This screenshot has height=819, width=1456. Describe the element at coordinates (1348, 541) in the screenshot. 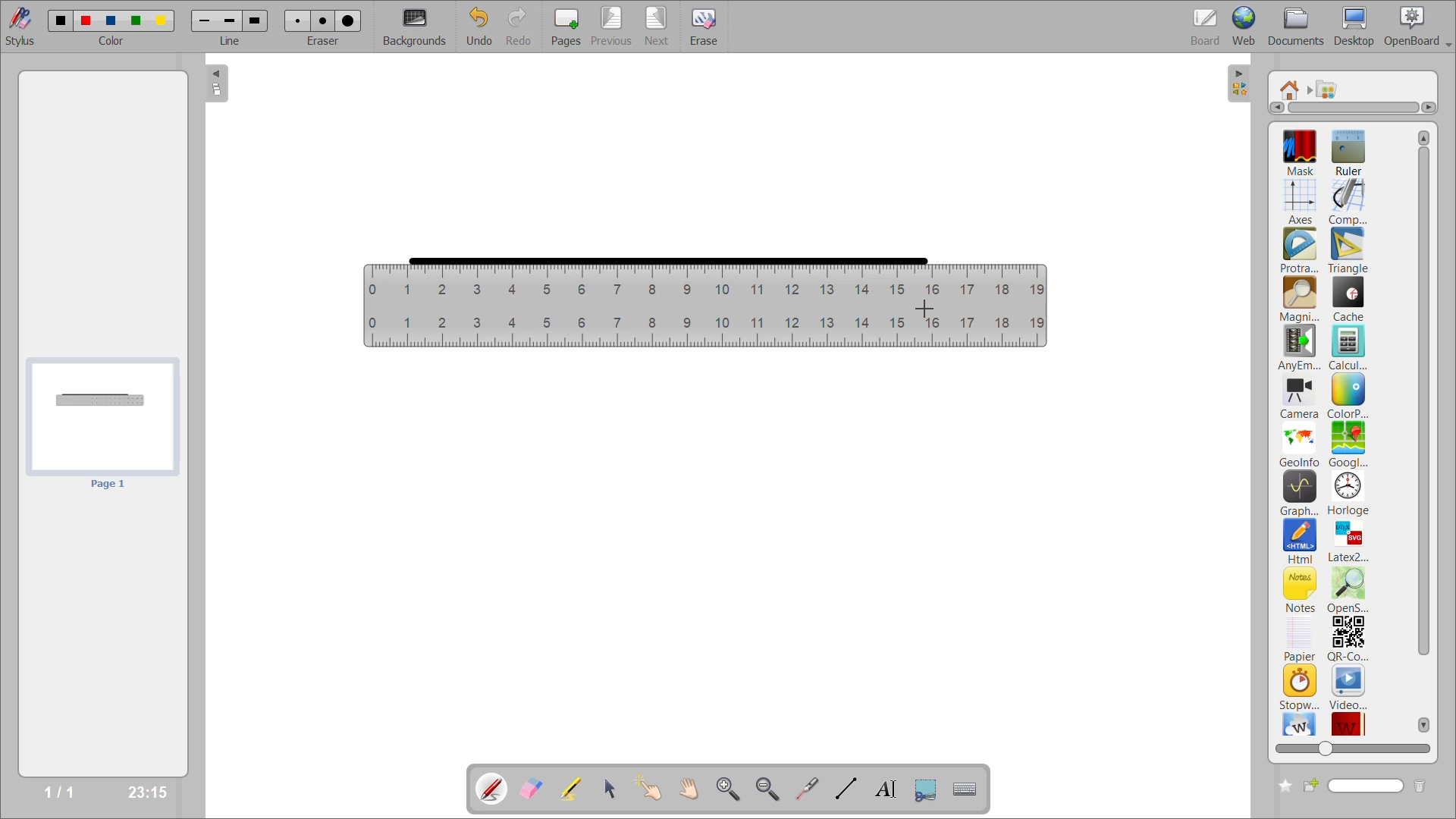

I see `latex2svg` at that location.